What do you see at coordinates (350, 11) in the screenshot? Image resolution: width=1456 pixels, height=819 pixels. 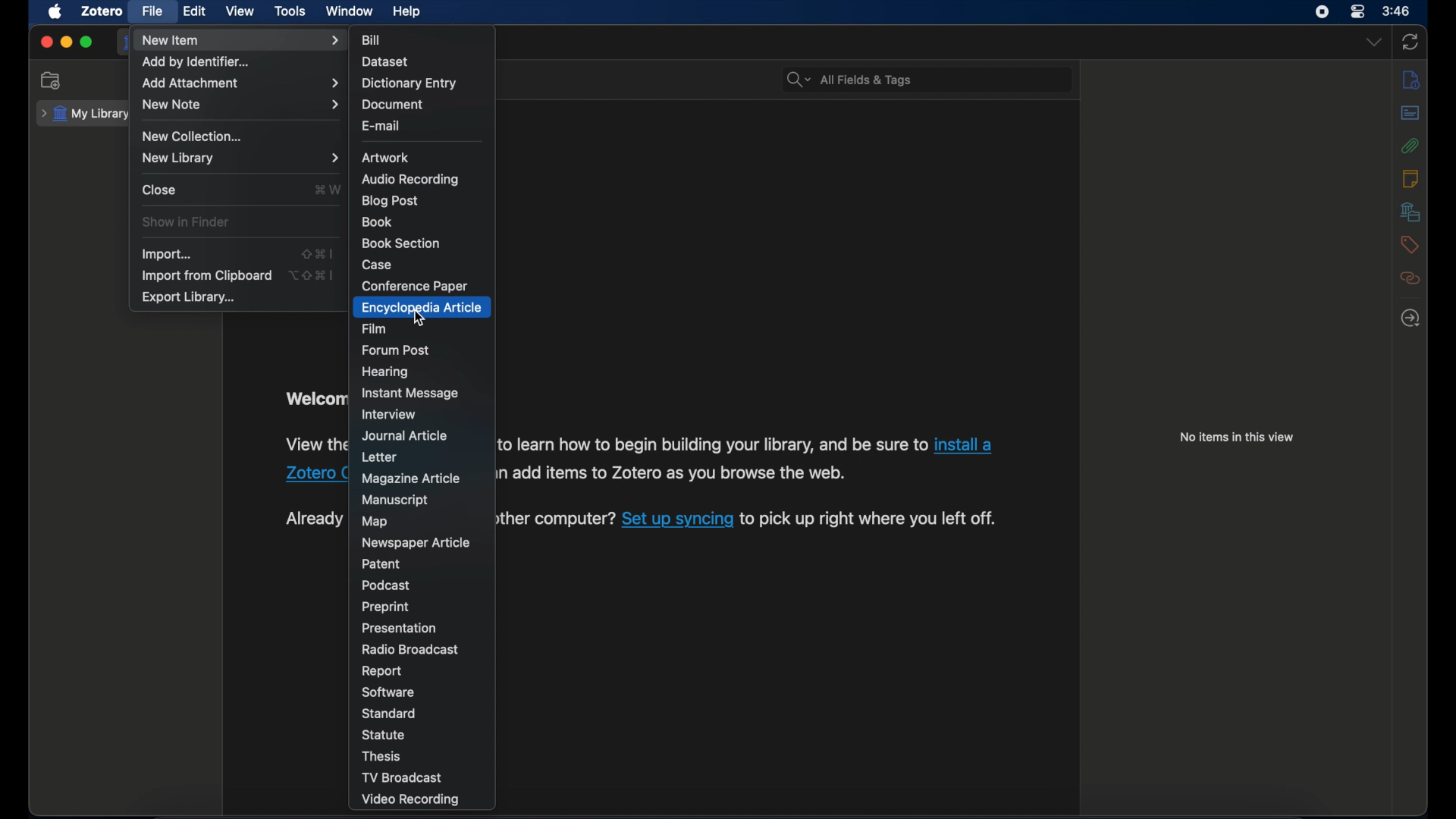 I see `window` at bounding box center [350, 11].